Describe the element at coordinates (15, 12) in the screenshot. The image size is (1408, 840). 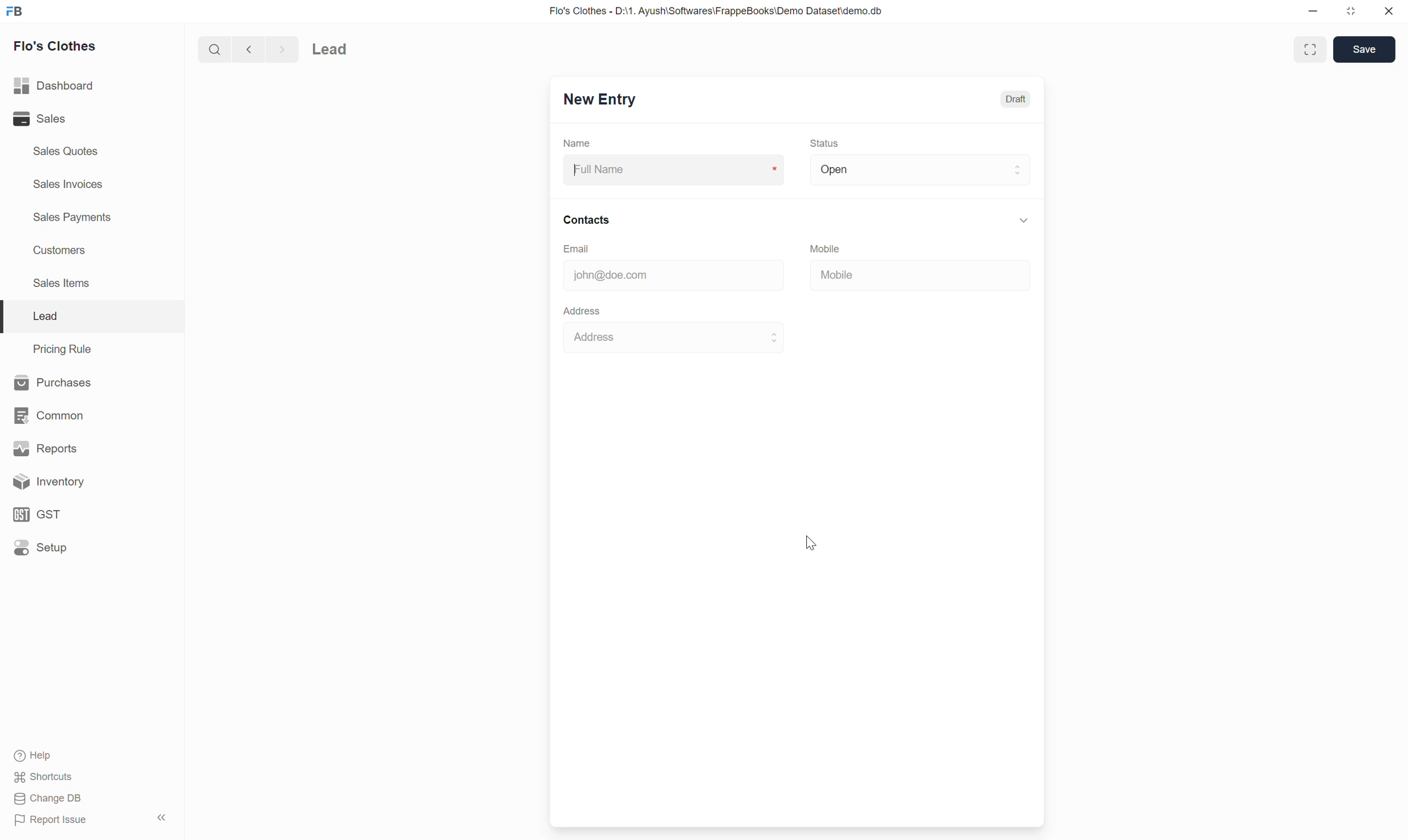
I see `FB` at that location.